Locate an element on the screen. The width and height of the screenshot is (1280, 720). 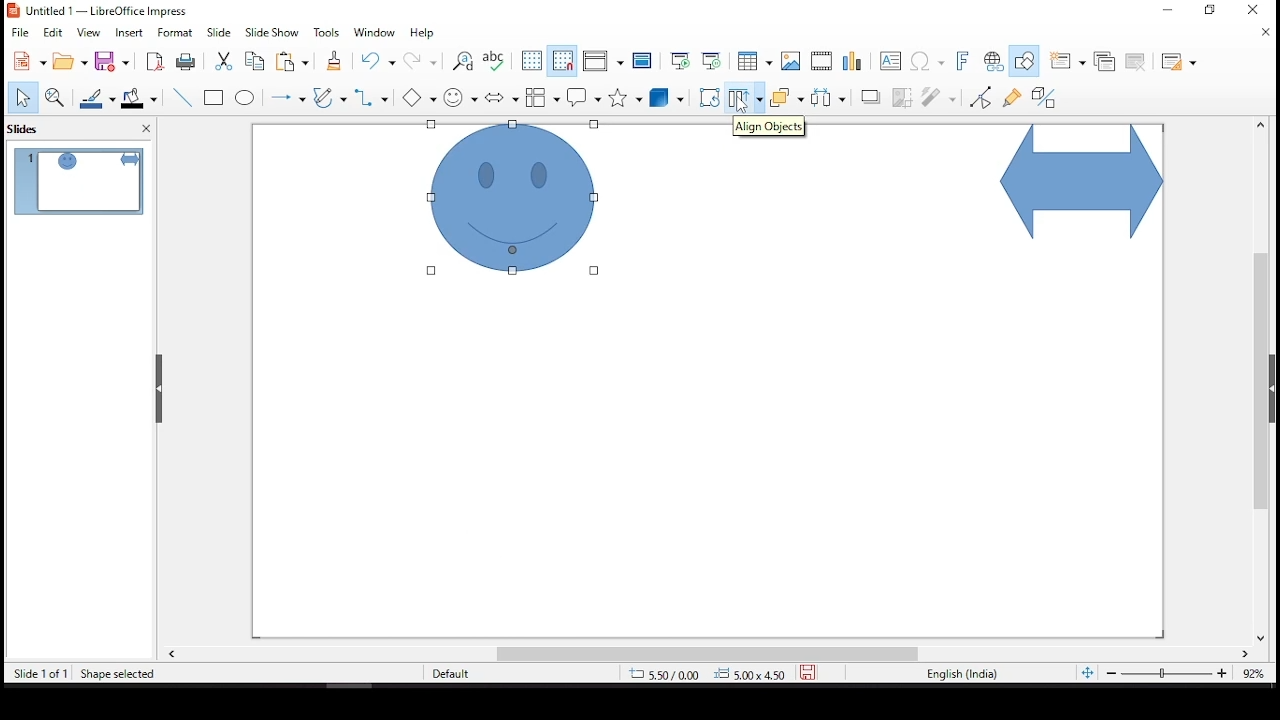
select tool is located at coordinates (22, 99).